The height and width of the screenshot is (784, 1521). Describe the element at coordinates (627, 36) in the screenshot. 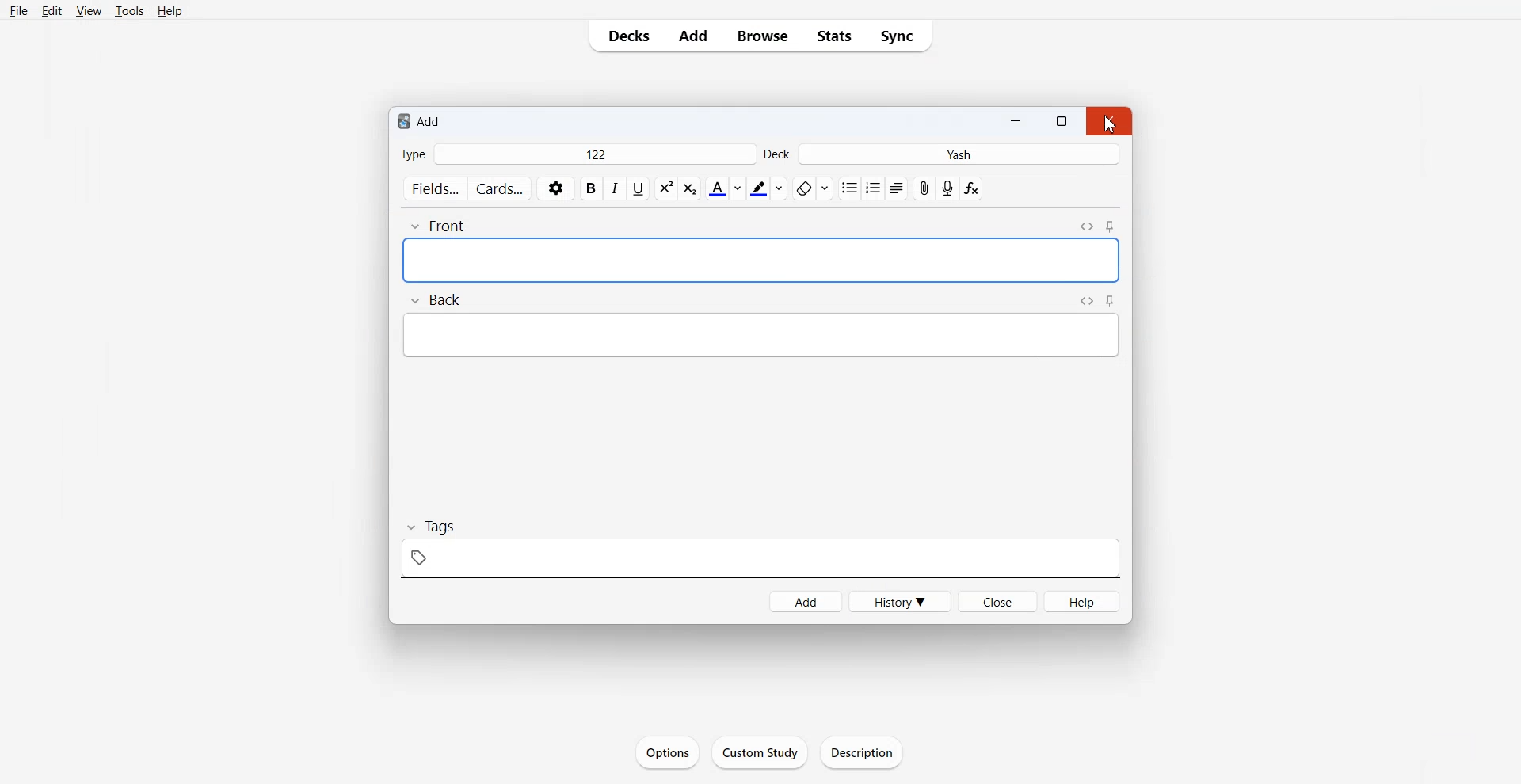

I see `Decks` at that location.